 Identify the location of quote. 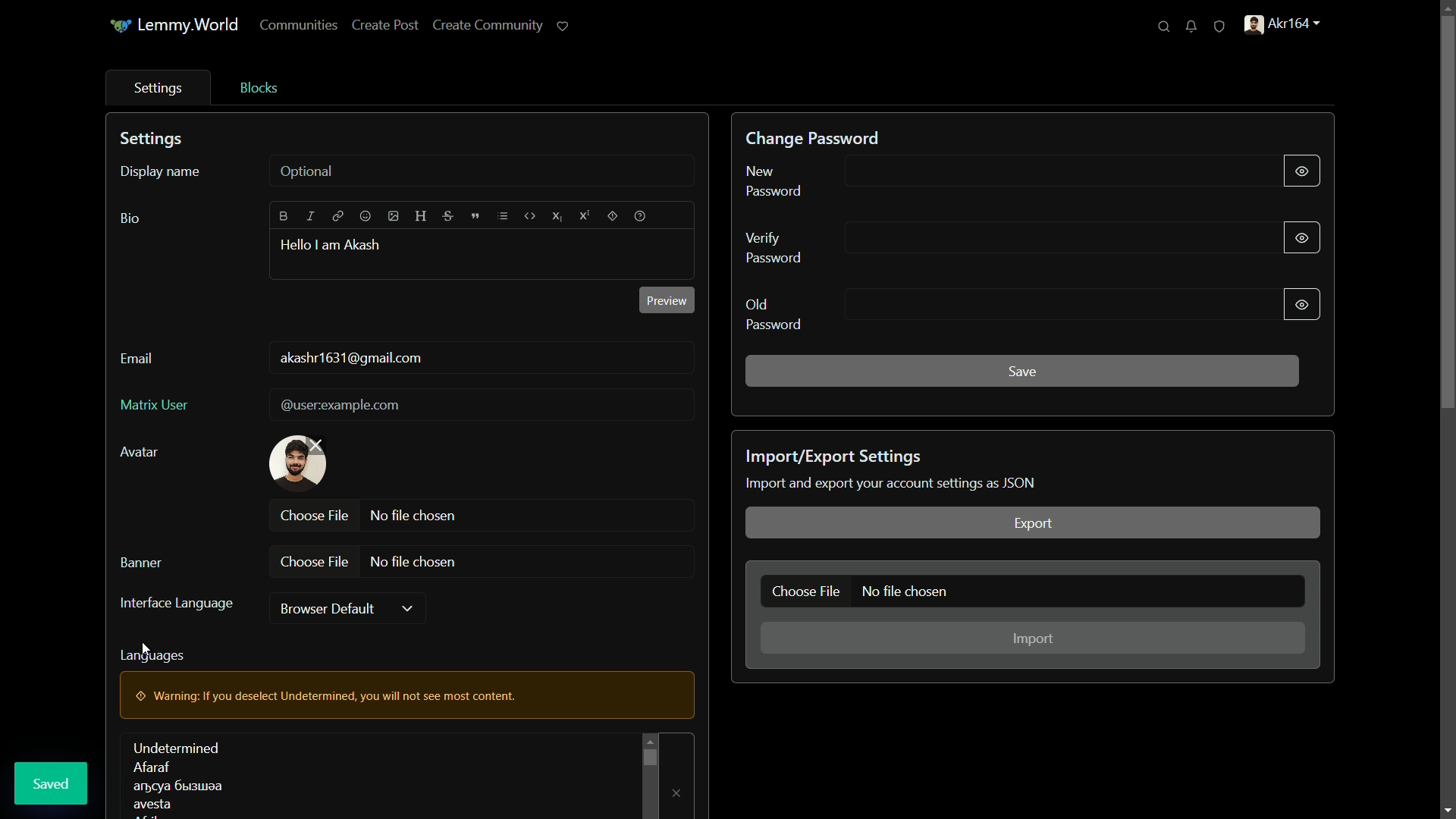
(475, 217).